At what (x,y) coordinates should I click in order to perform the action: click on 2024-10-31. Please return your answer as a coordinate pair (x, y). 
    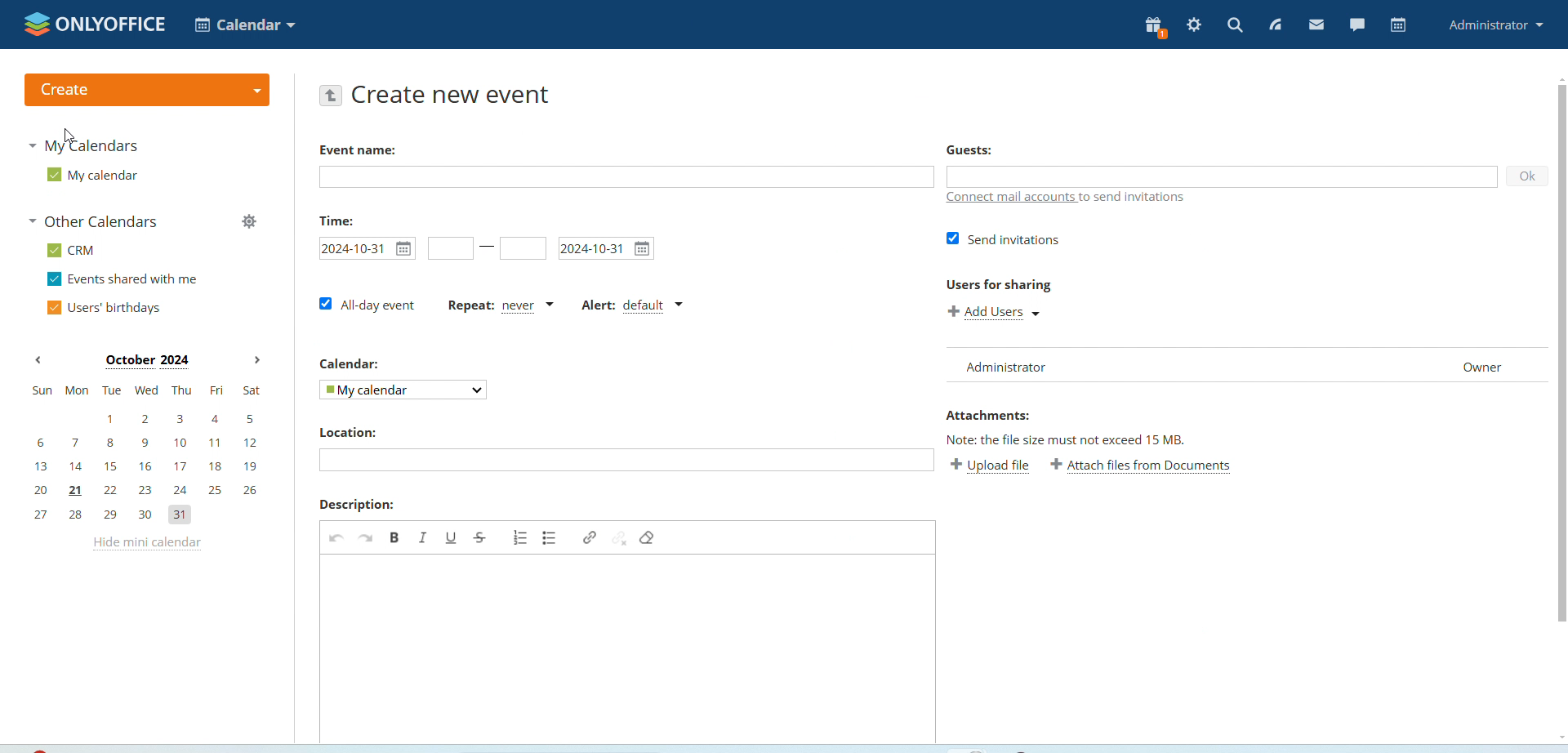
    Looking at the image, I should click on (607, 249).